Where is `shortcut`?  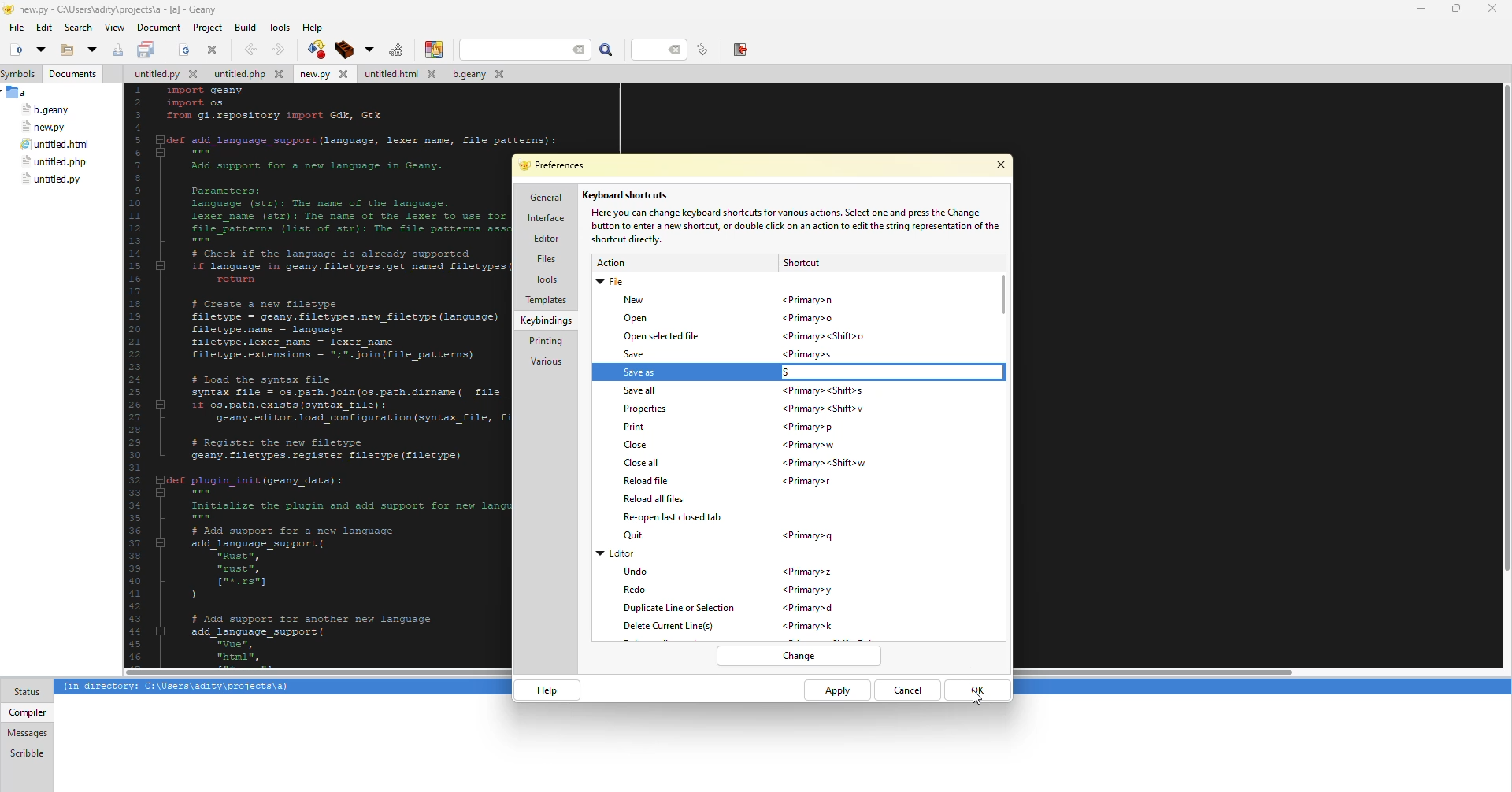 shortcut is located at coordinates (807, 427).